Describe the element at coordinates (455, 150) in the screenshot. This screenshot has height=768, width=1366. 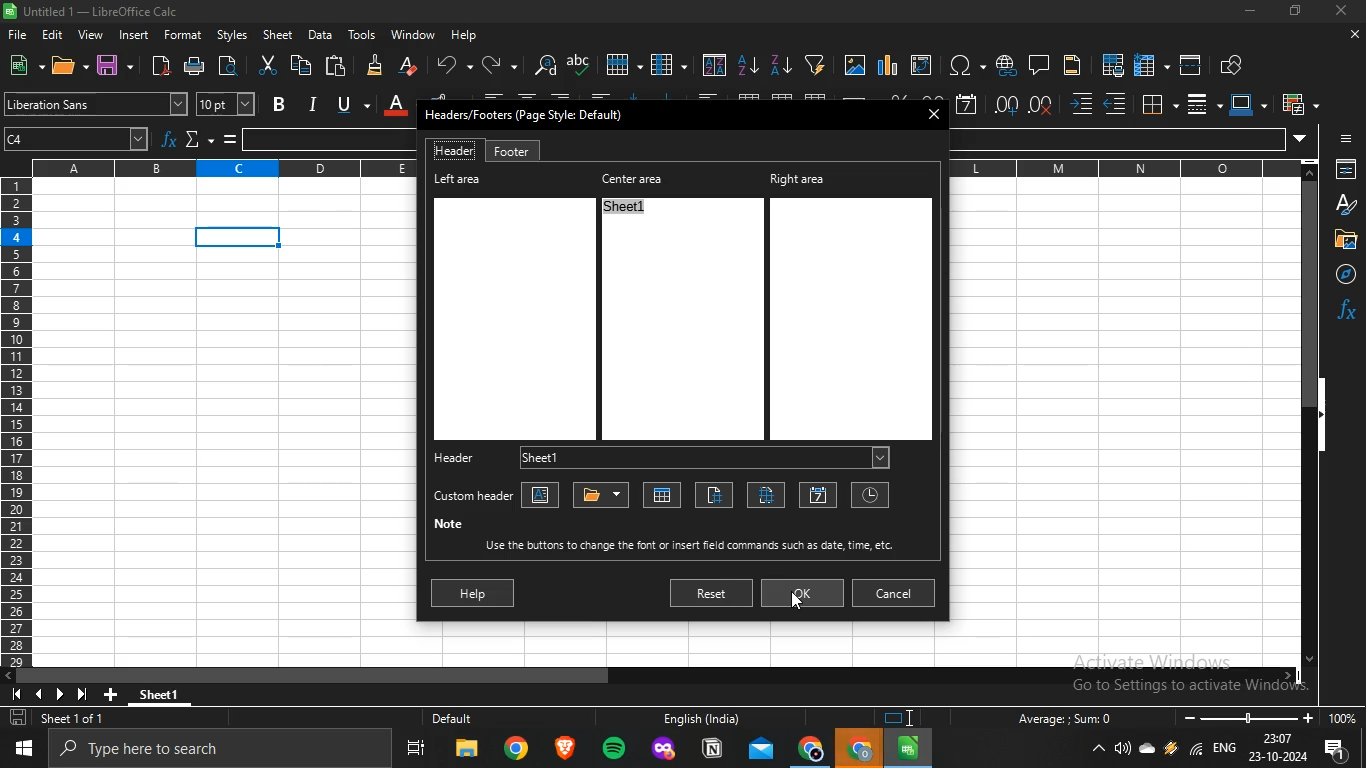
I see `header` at that location.